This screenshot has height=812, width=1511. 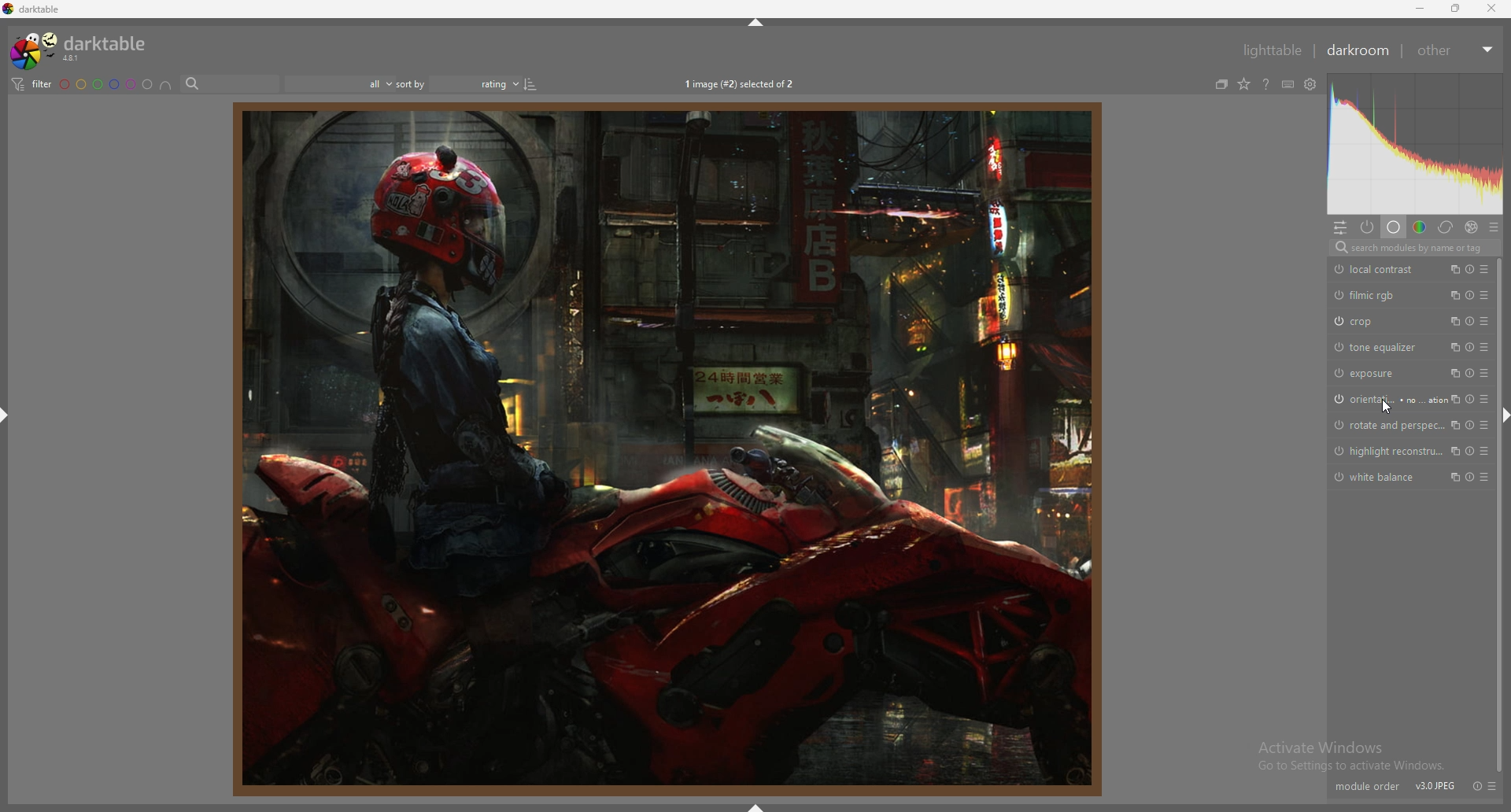 I want to click on include color labels, so click(x=165, y=84).